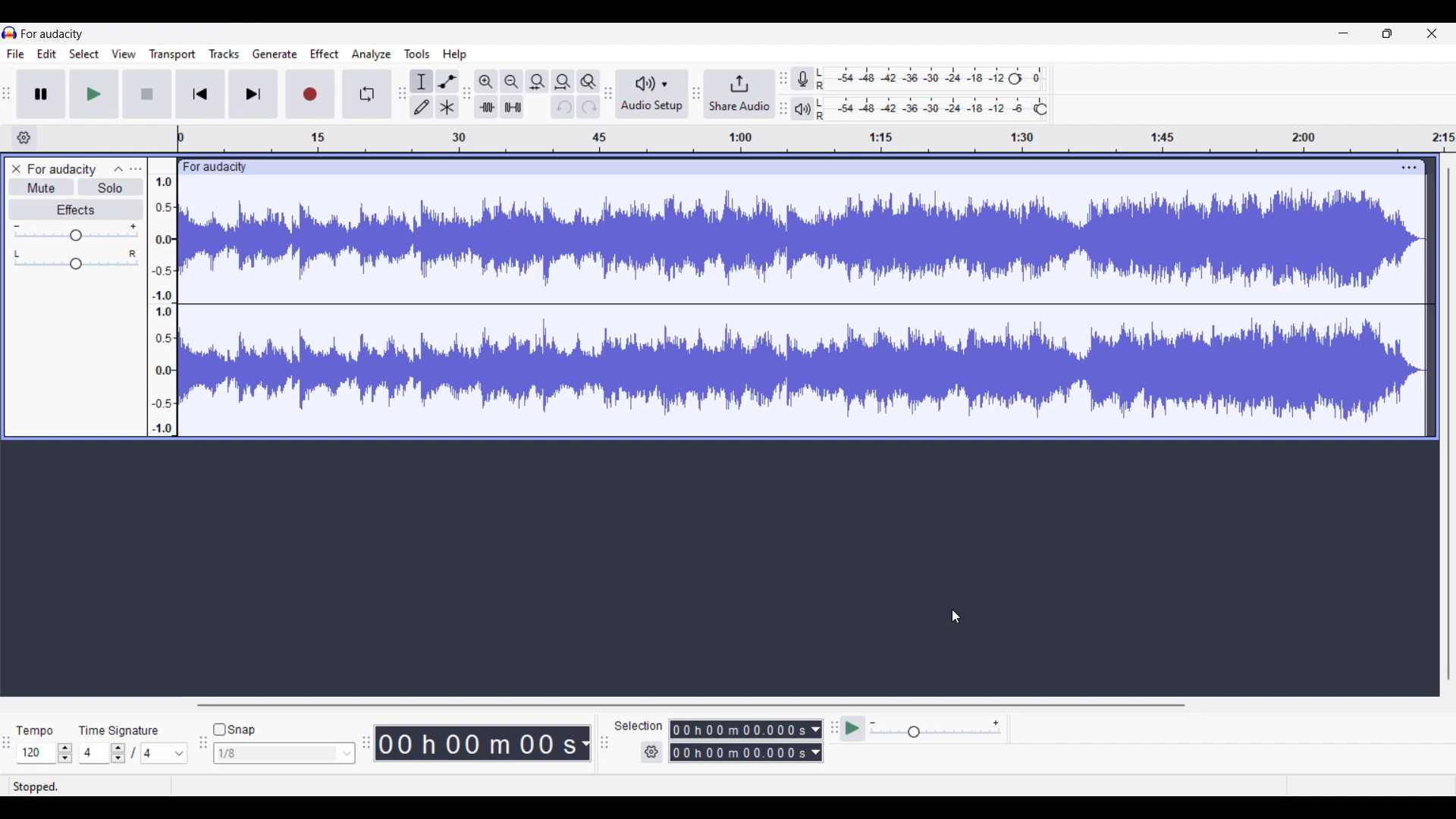  Describe the element at coordinates (513, 107) in the screenshot. I see `Silence audio selection` at that location.